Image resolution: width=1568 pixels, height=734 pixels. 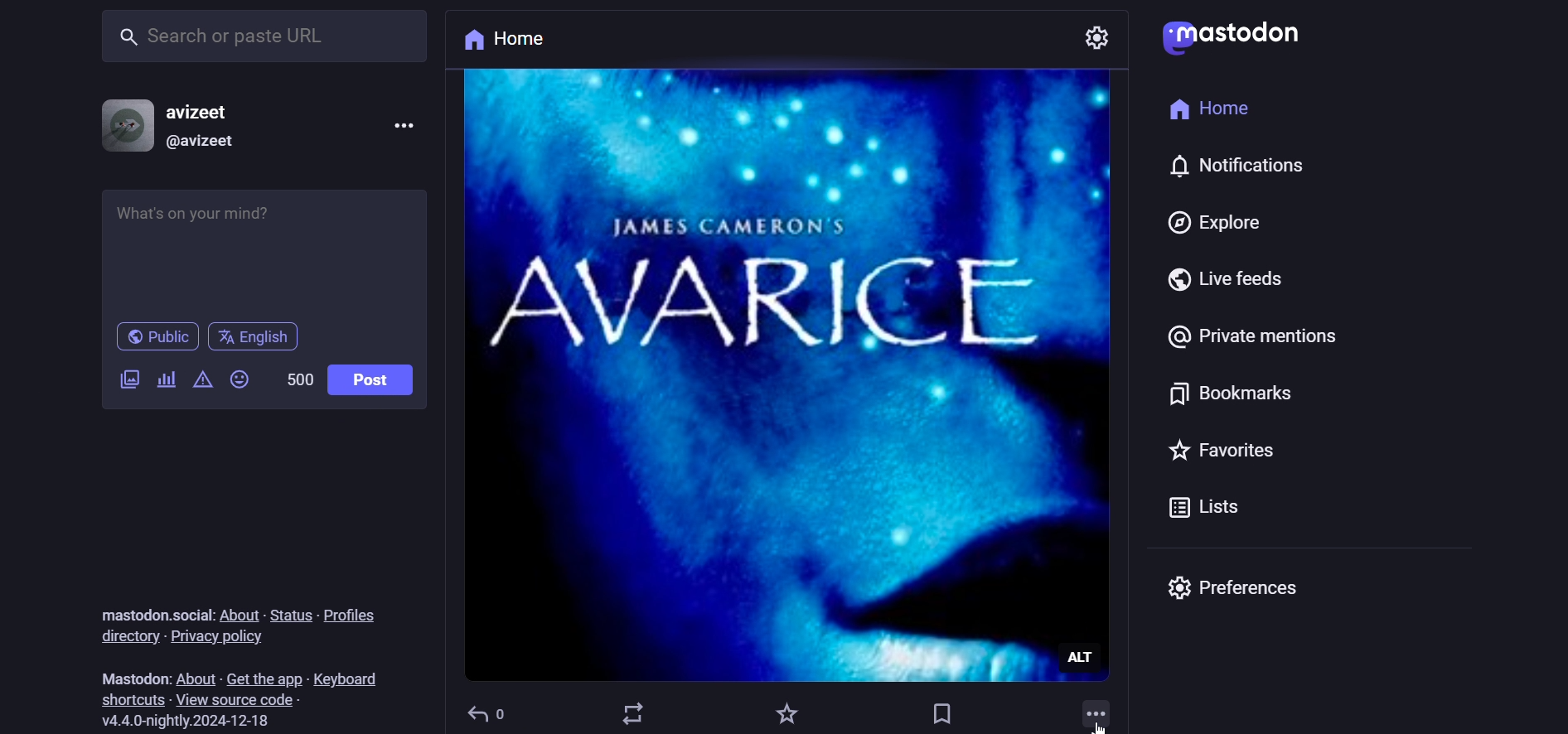 I want to click on emoji, so click(x=243, y=375).